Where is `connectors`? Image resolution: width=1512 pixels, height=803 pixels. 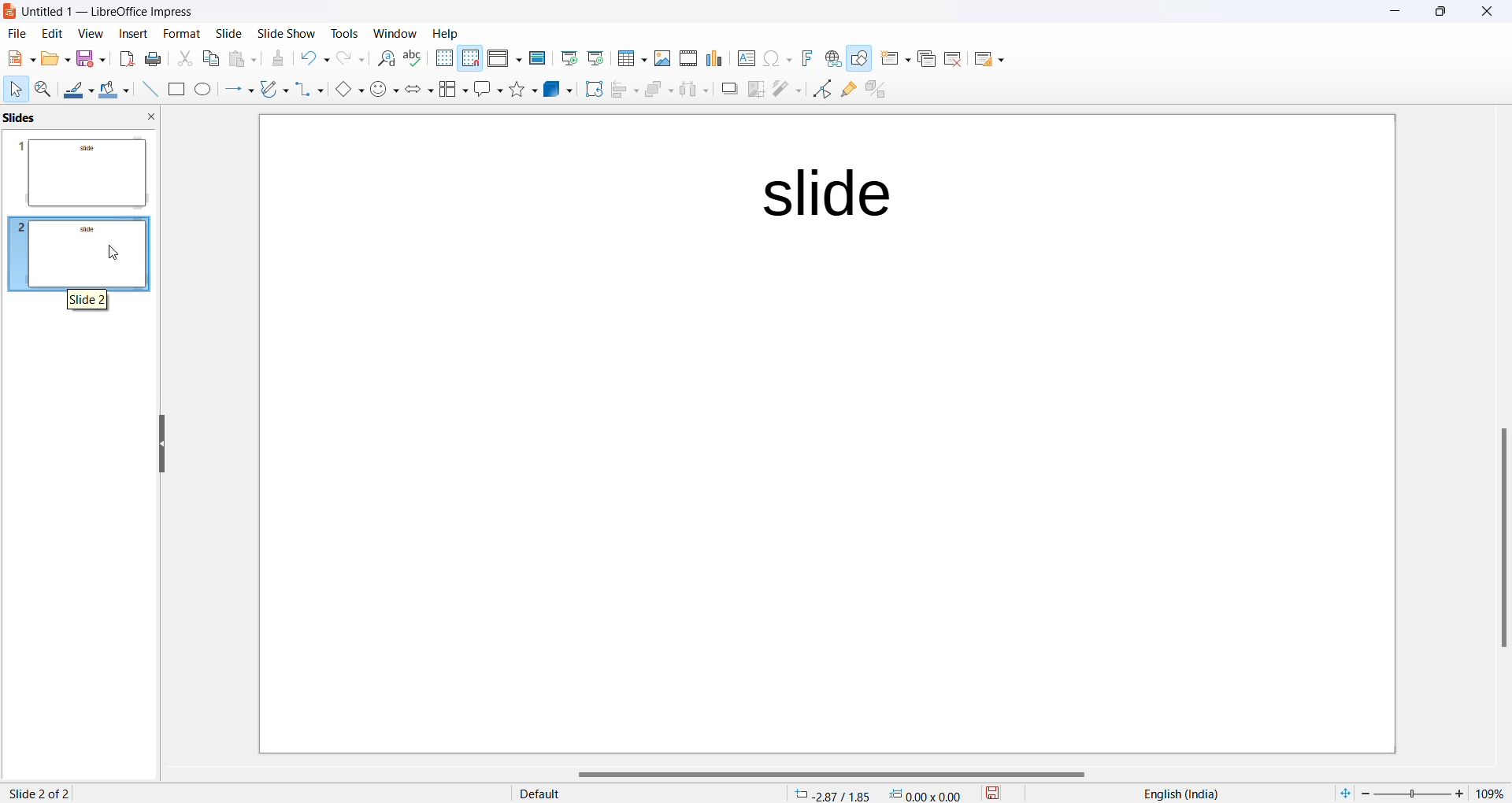 connectors is located at coordinates (306, 90).